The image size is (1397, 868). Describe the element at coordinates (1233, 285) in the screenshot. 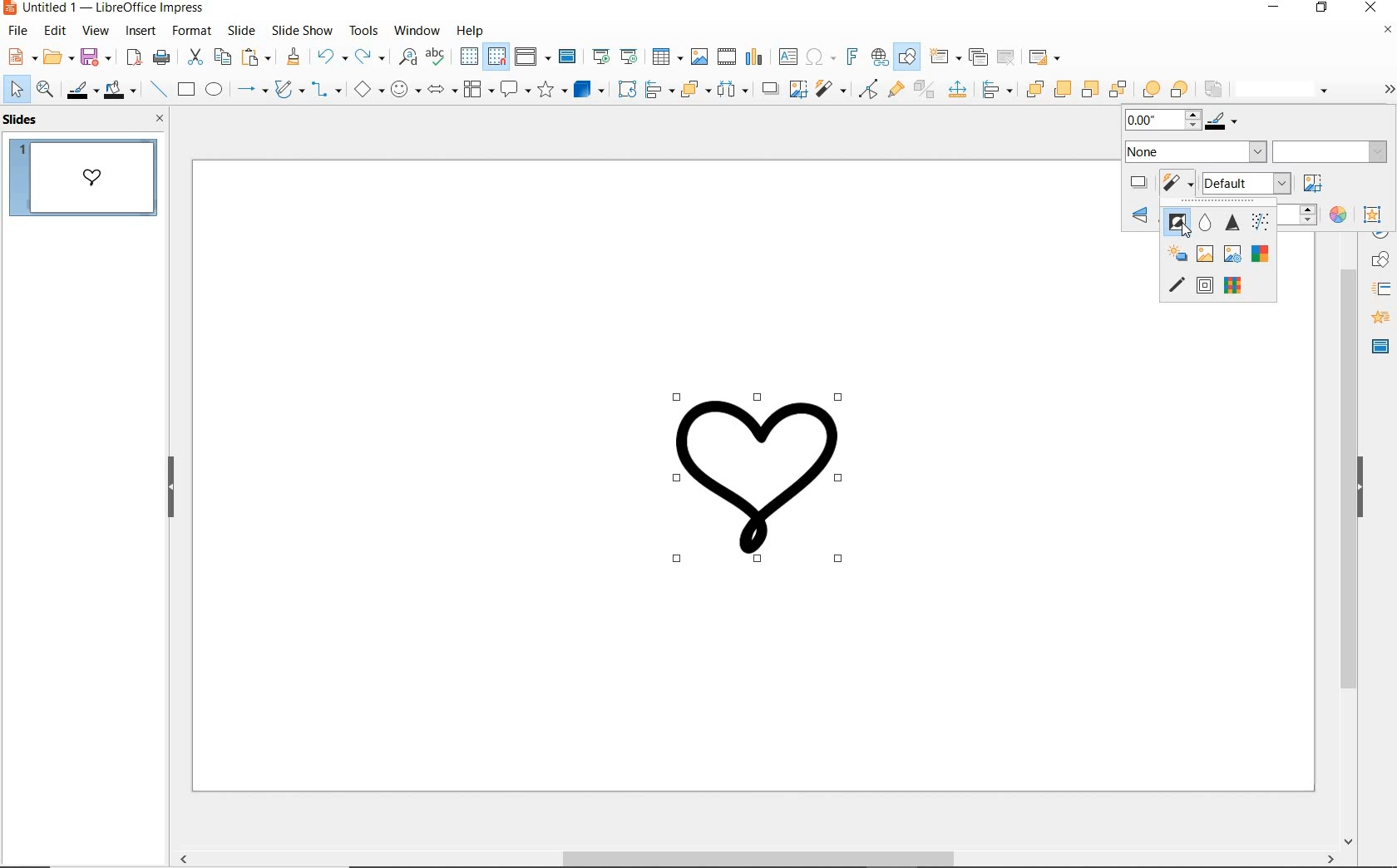

I see `mosaic` at that location.